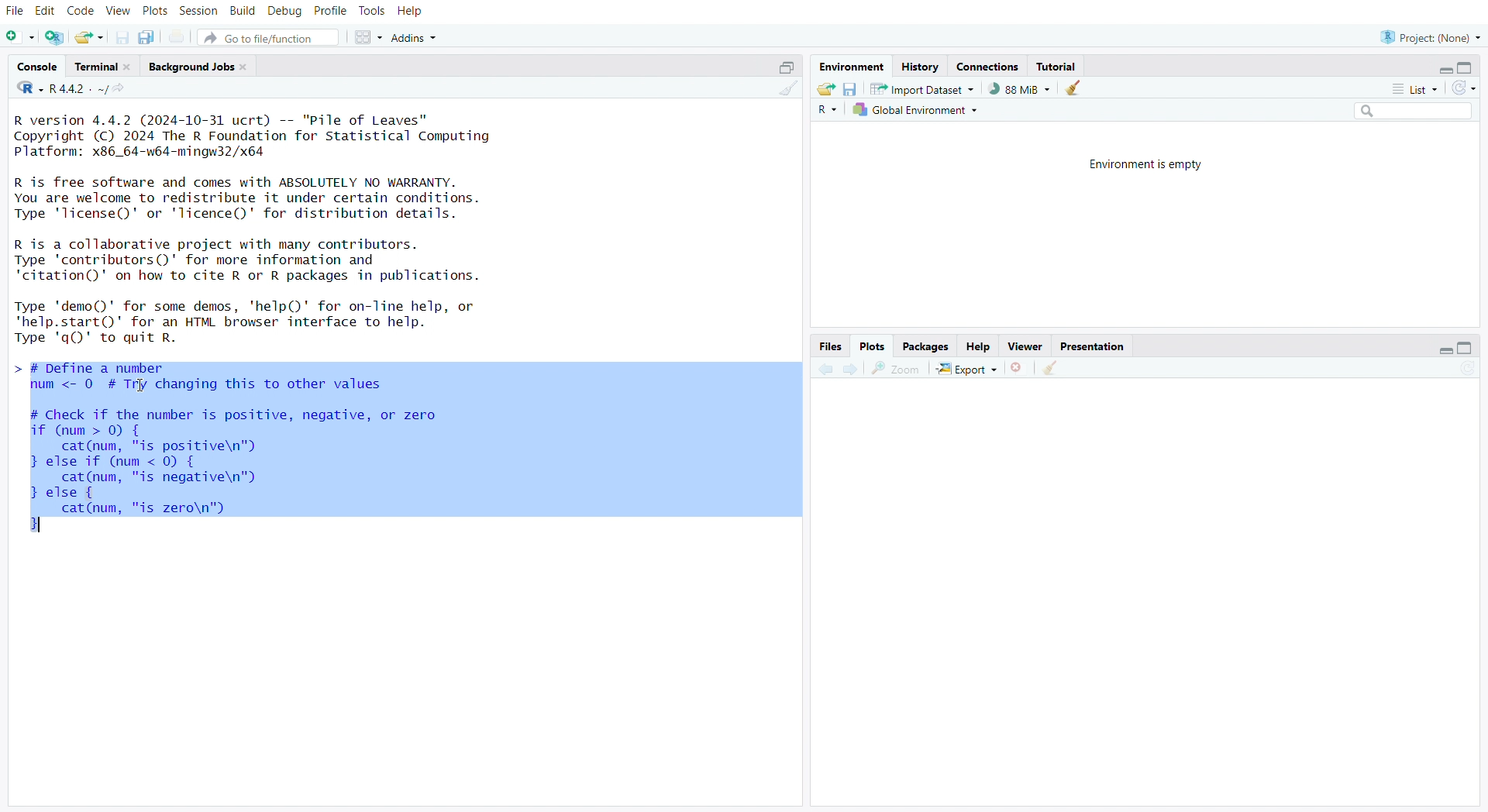 This screenshot has height=812, width=1488. I want to click on debug, so click(284, 12).